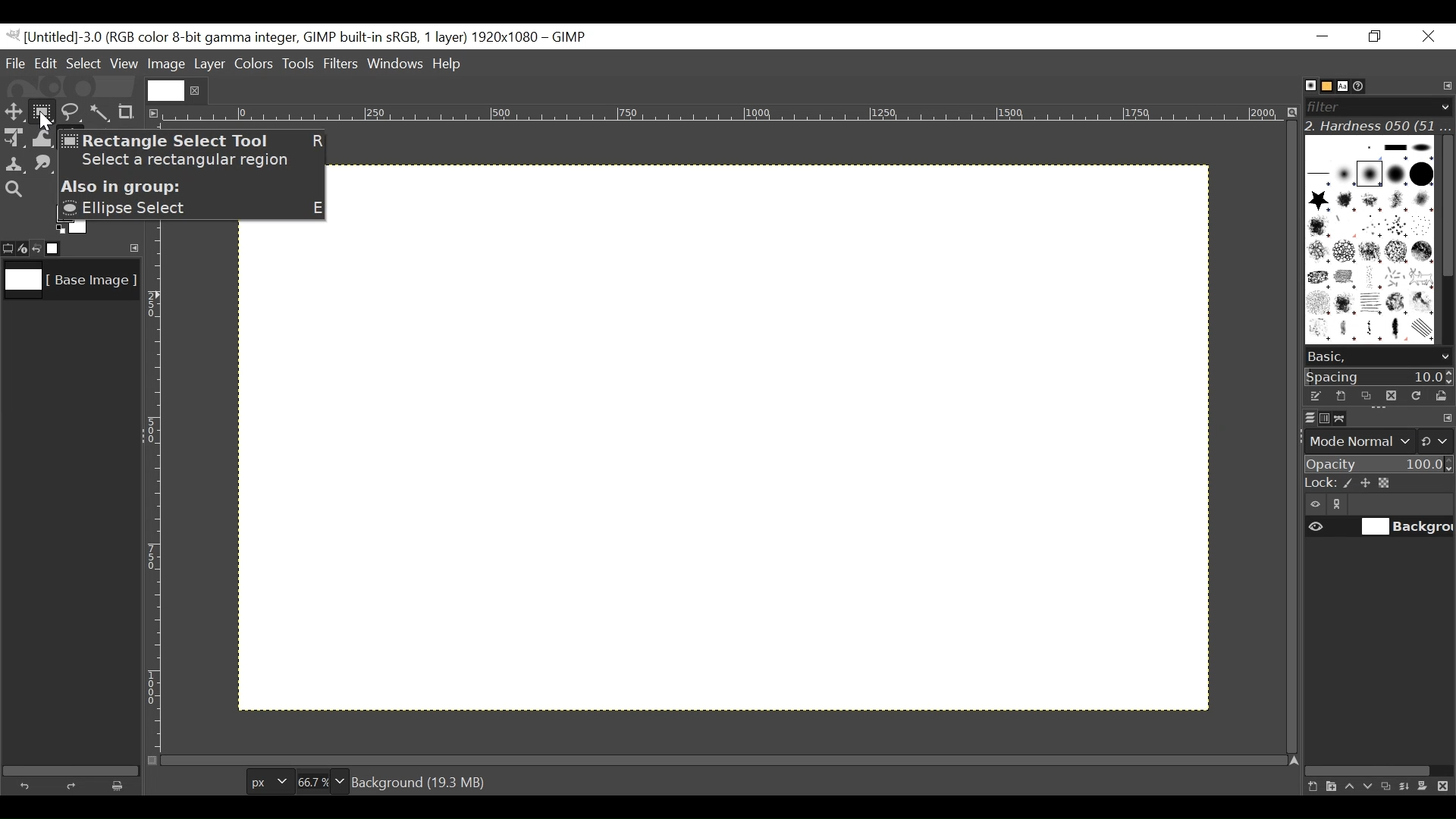  What do you see at coordinates (450, 65) in the screenshot?
I see `Help` at bounding box center [450, 65].